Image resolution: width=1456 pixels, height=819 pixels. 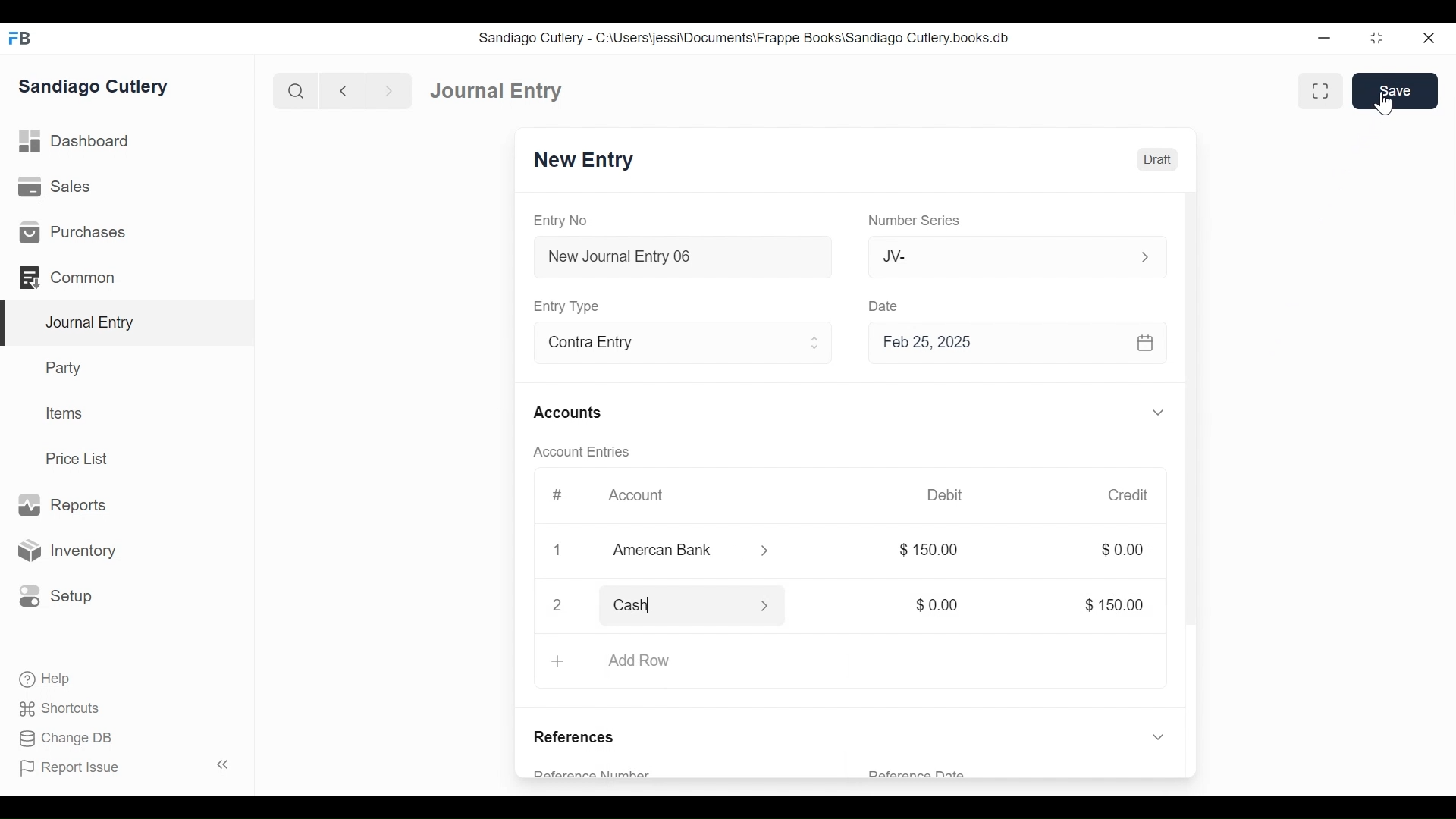 I want to click on $ 150.00, so click(x=1113, y=606).